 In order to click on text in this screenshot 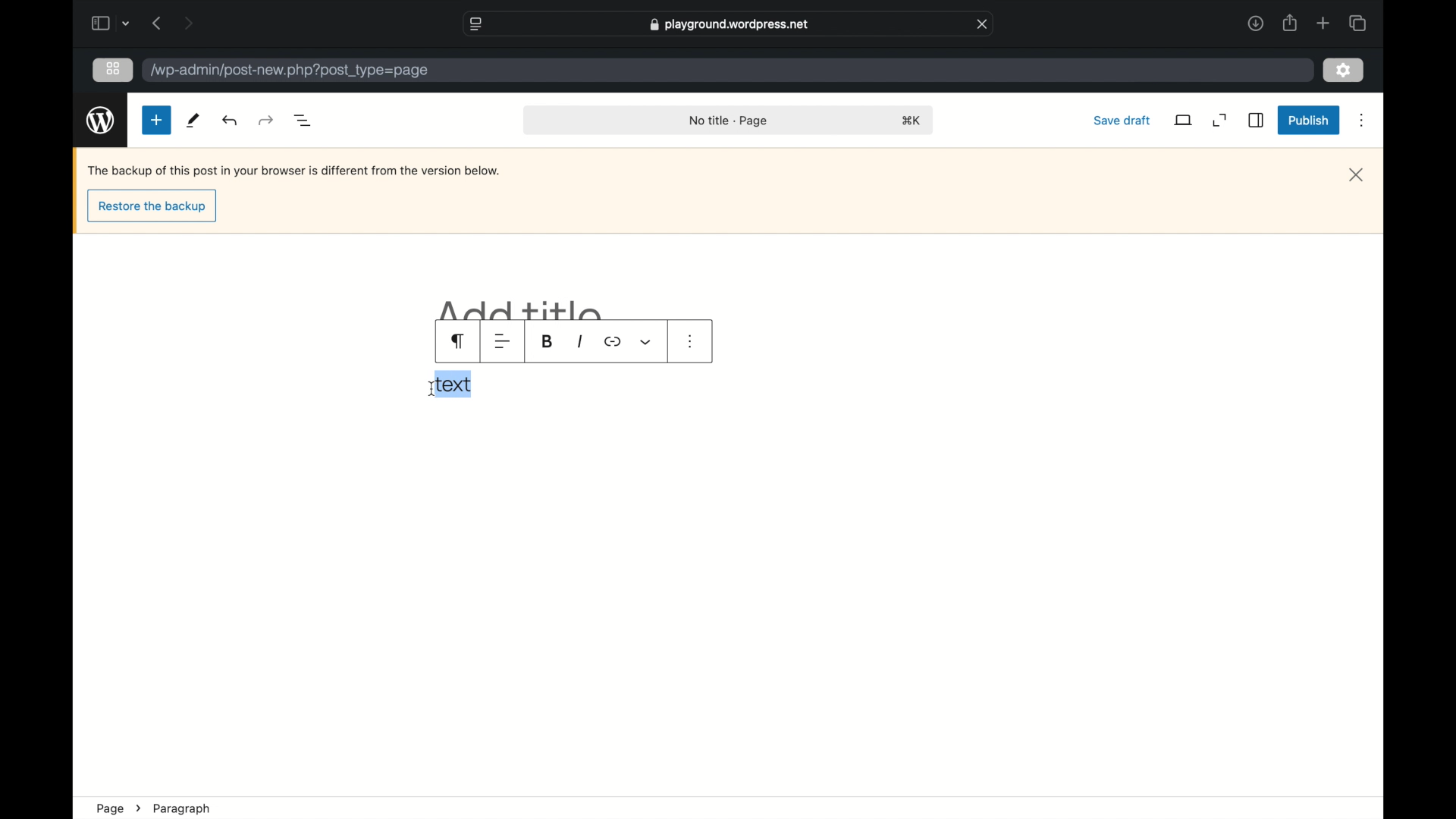, I will do `click(452, 384)`.